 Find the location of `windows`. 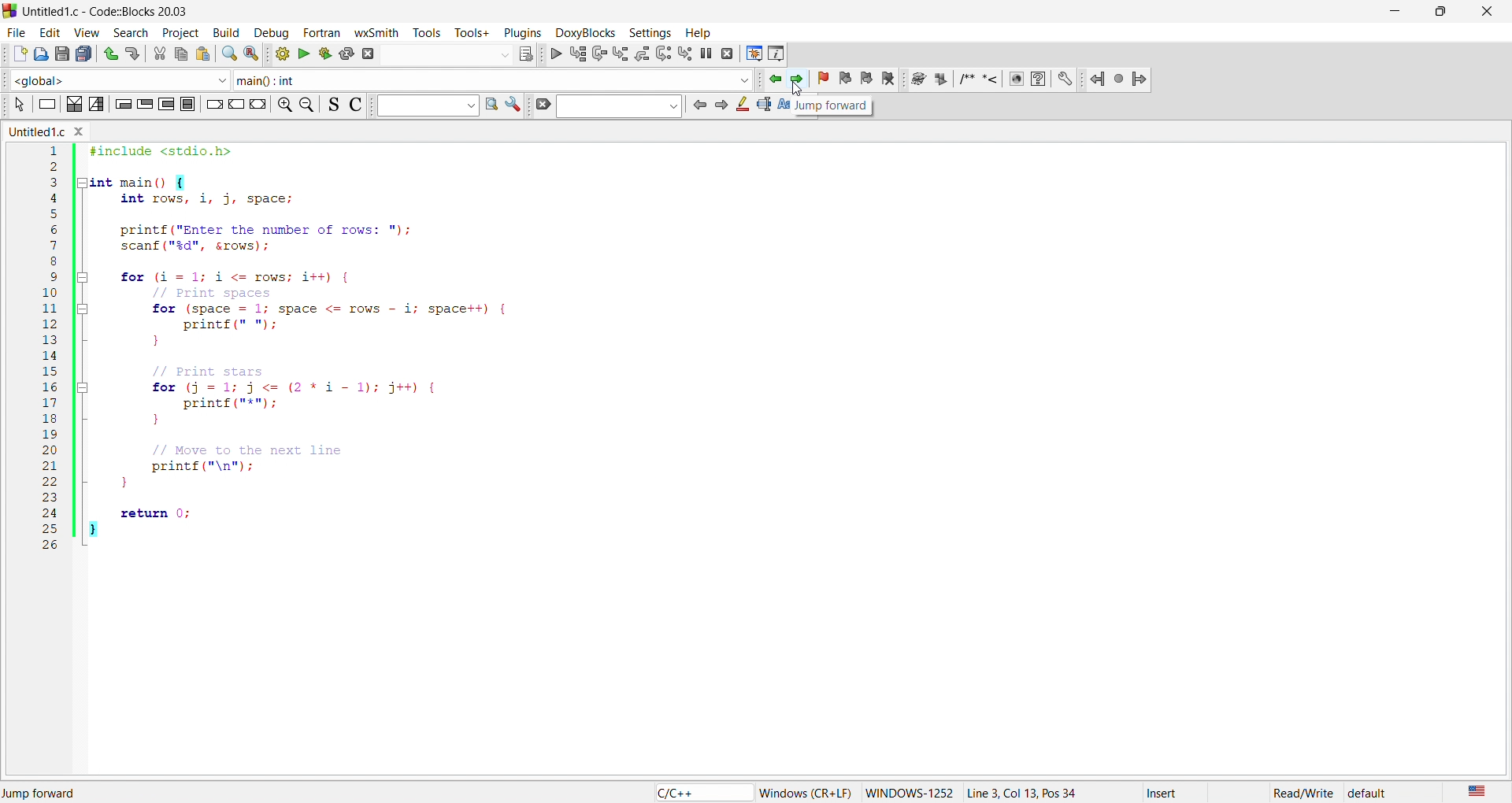

windows is located at coordinates (913, 790).